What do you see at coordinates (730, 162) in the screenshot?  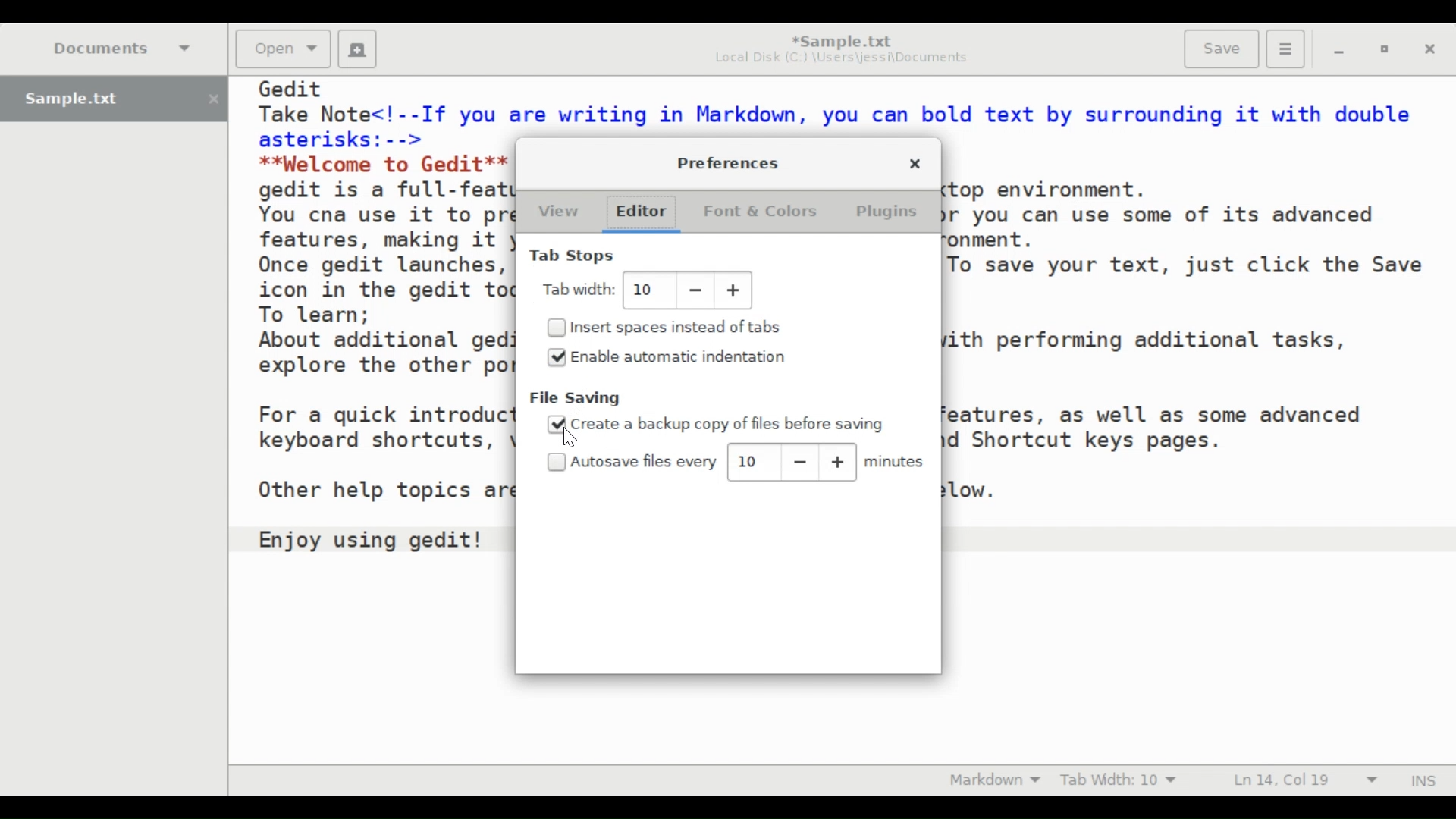 I see `Preferences` at bounding box center [730, 162].